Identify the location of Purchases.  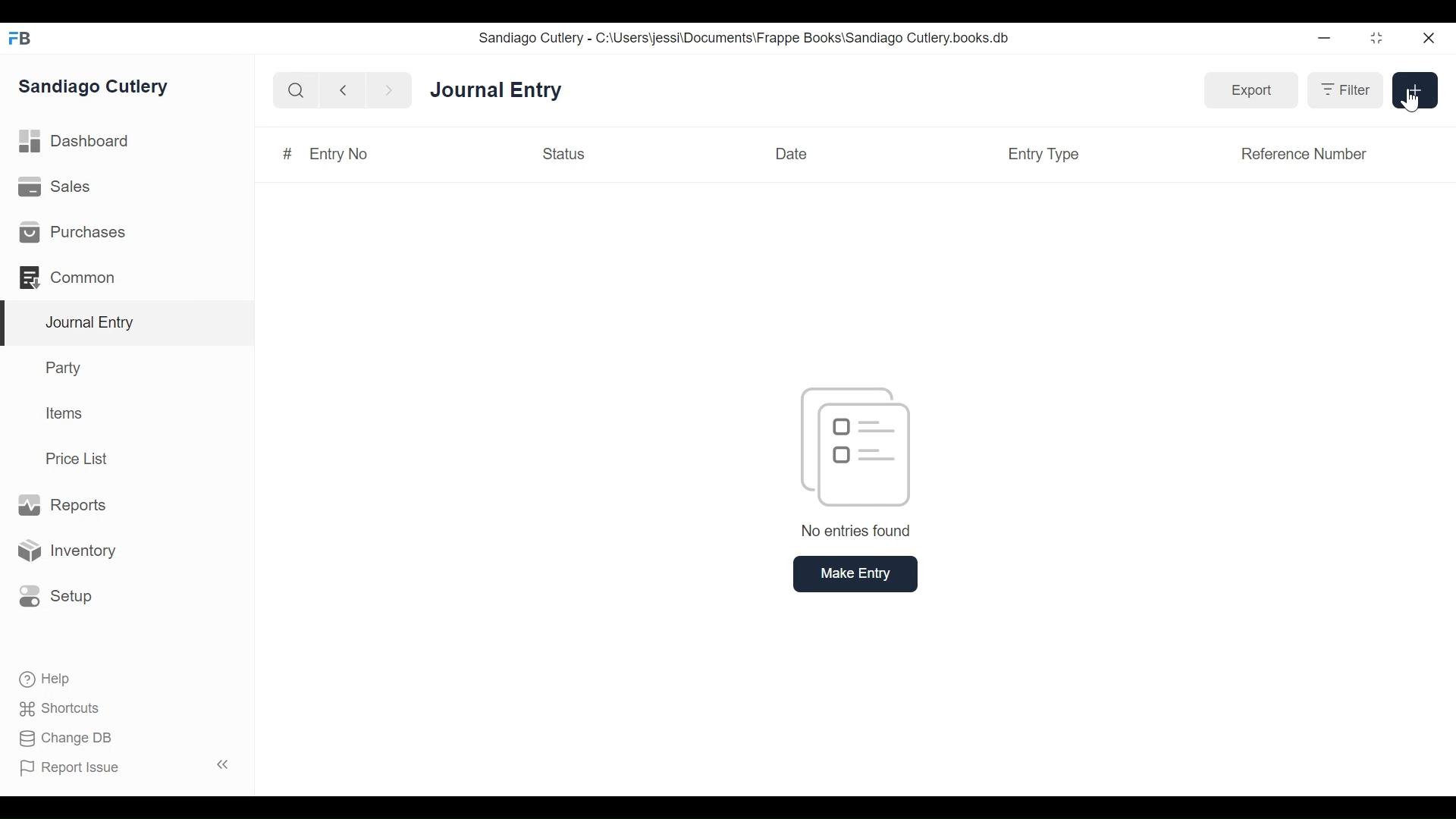
(71, 232).